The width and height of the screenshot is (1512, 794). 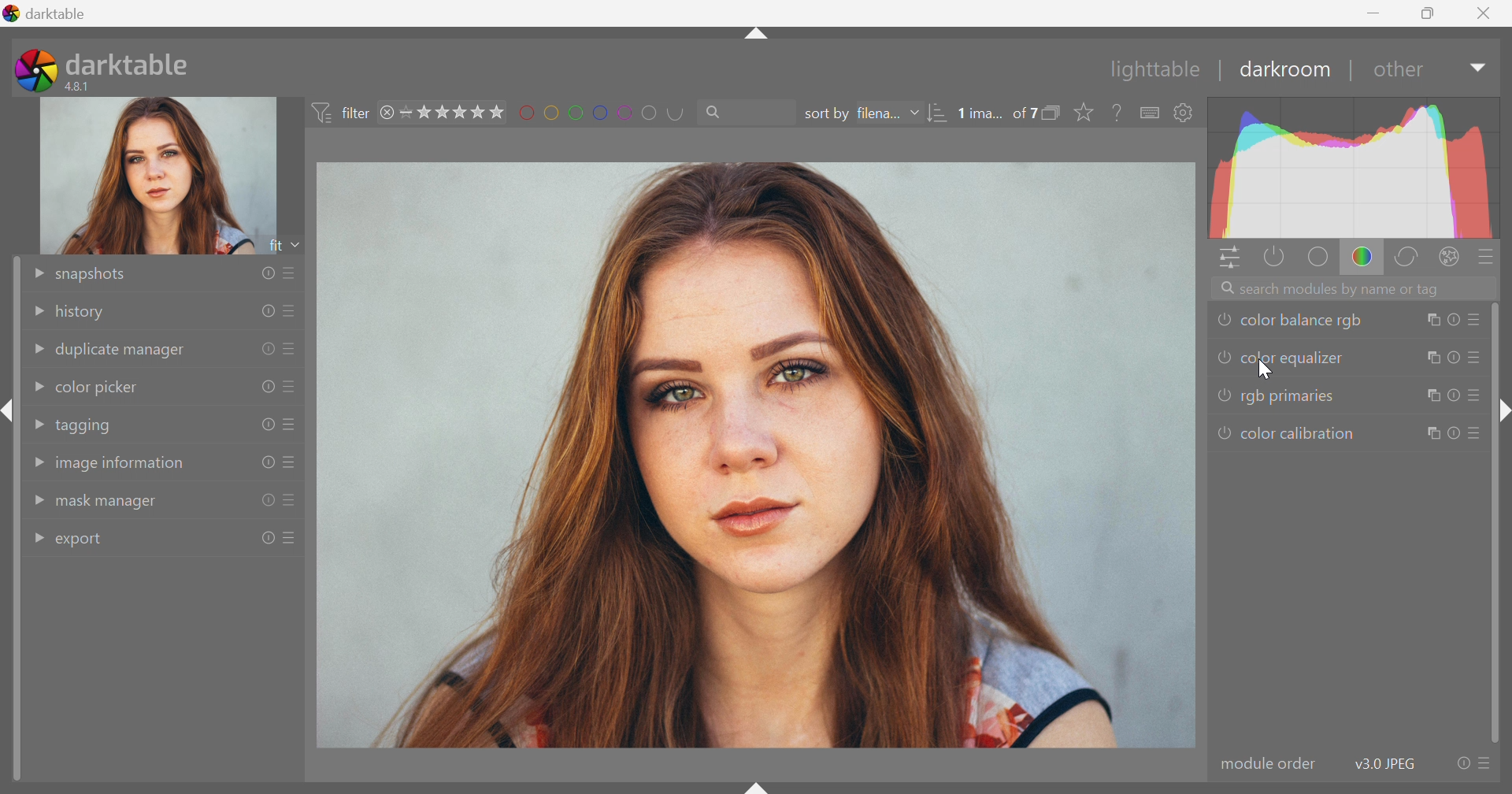 What do you see at coordinates (59, 13) in the screenshot?
I see `darktable` at bounding box center [59, 13].